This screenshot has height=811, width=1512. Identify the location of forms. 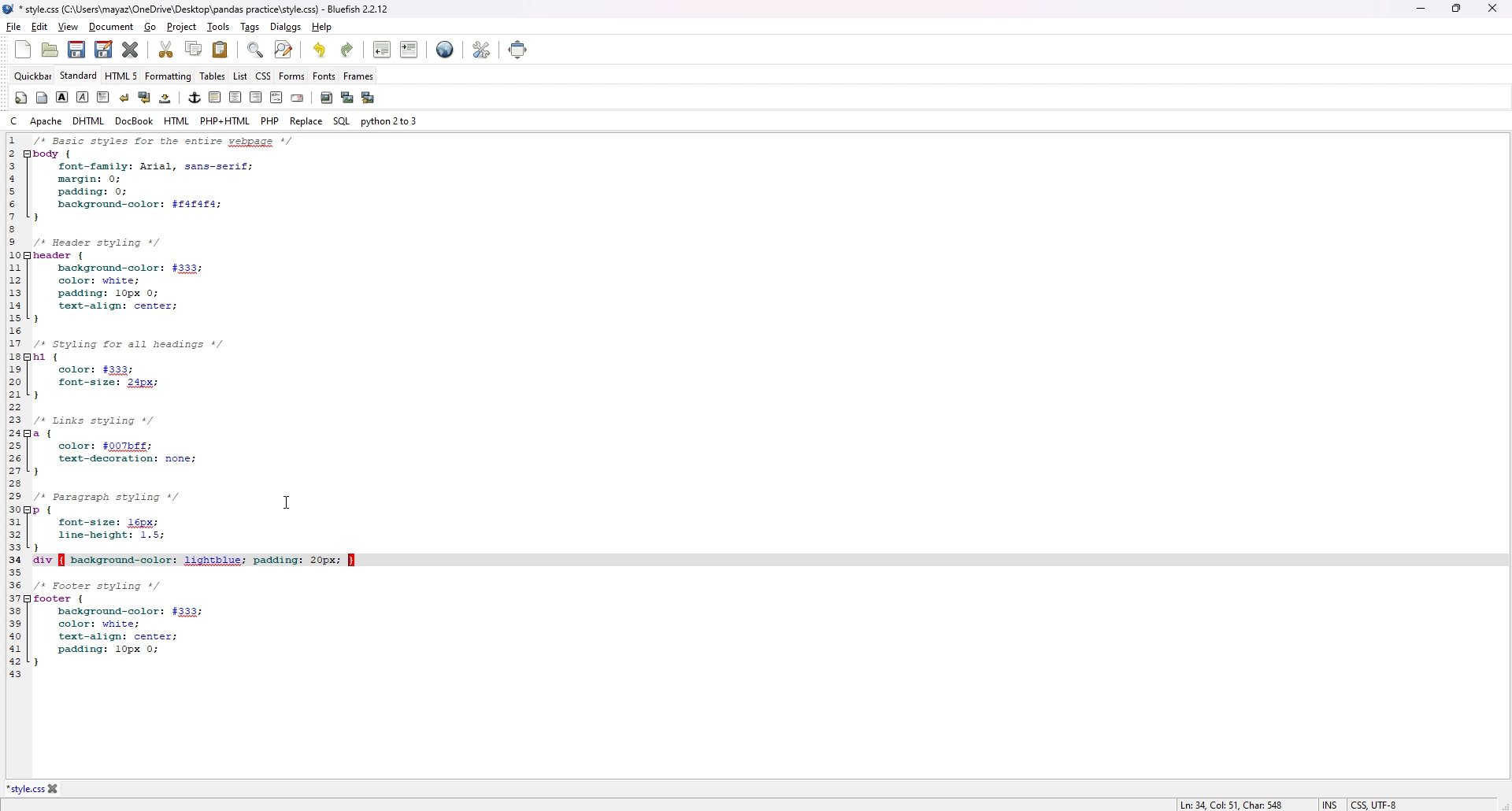
(293, 76).